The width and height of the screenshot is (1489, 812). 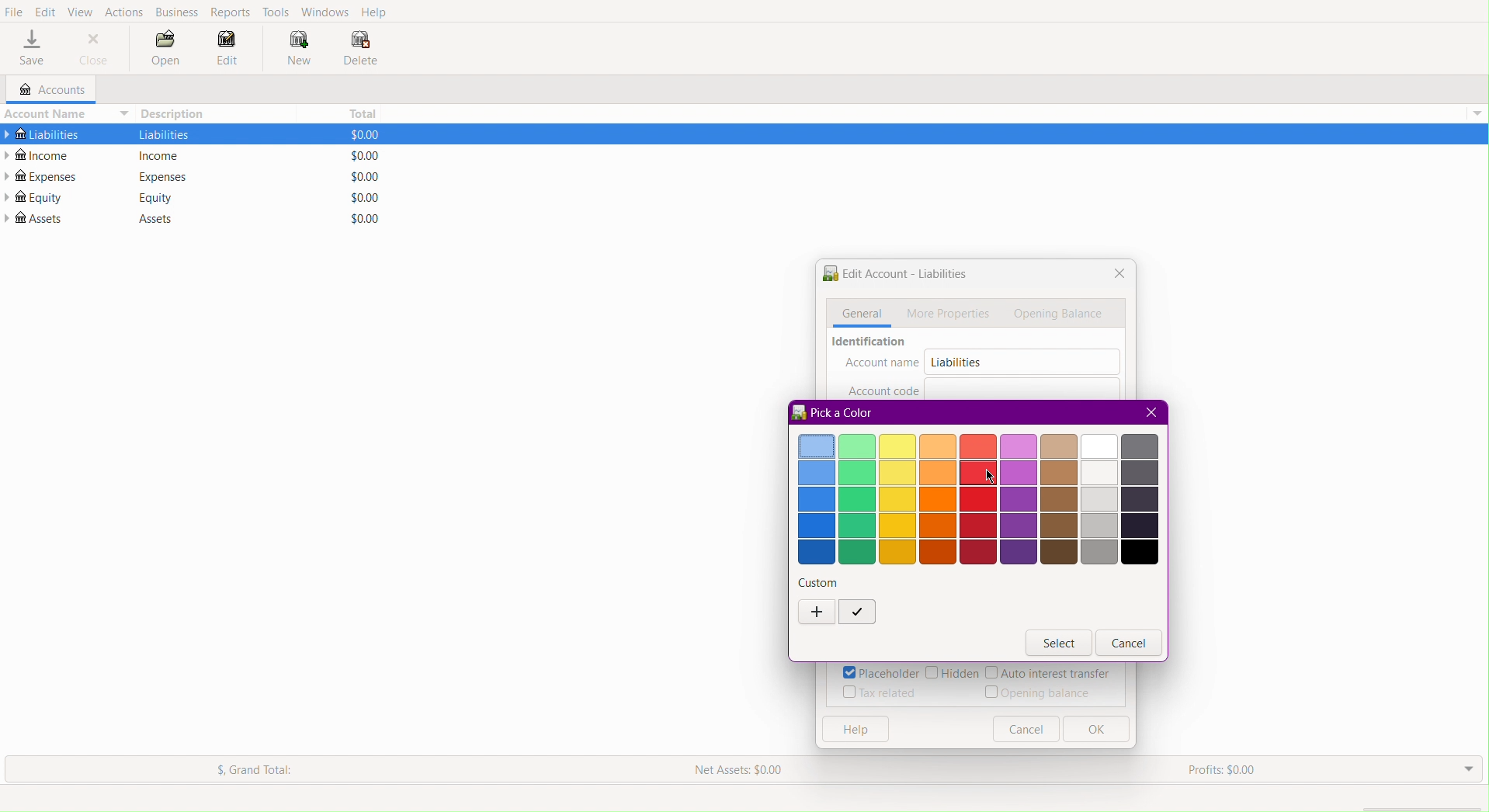 I want to click on $0.00, so click(x=358, y=218).